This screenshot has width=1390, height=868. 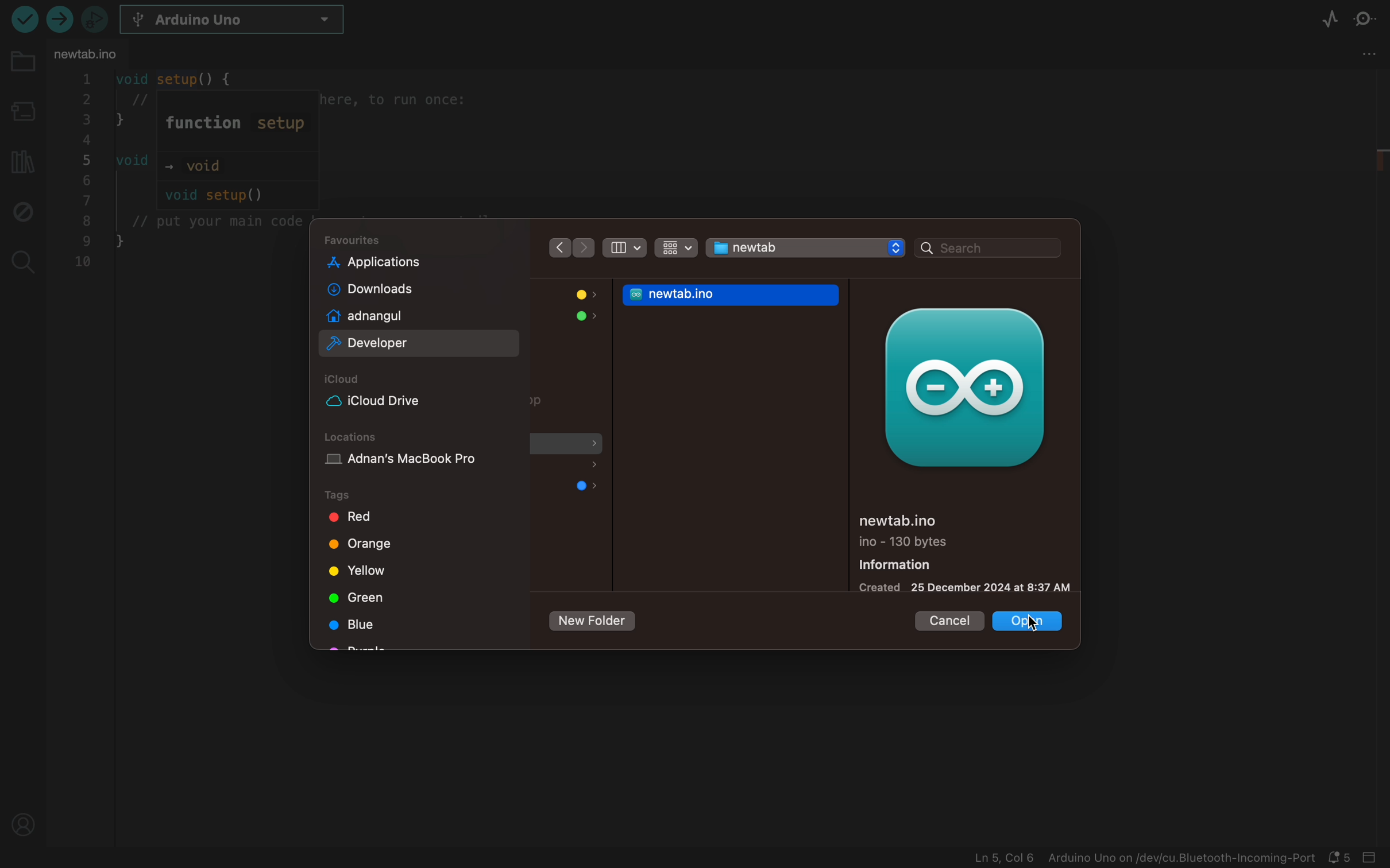 I want to click on colors, so click(x=587, y=487).